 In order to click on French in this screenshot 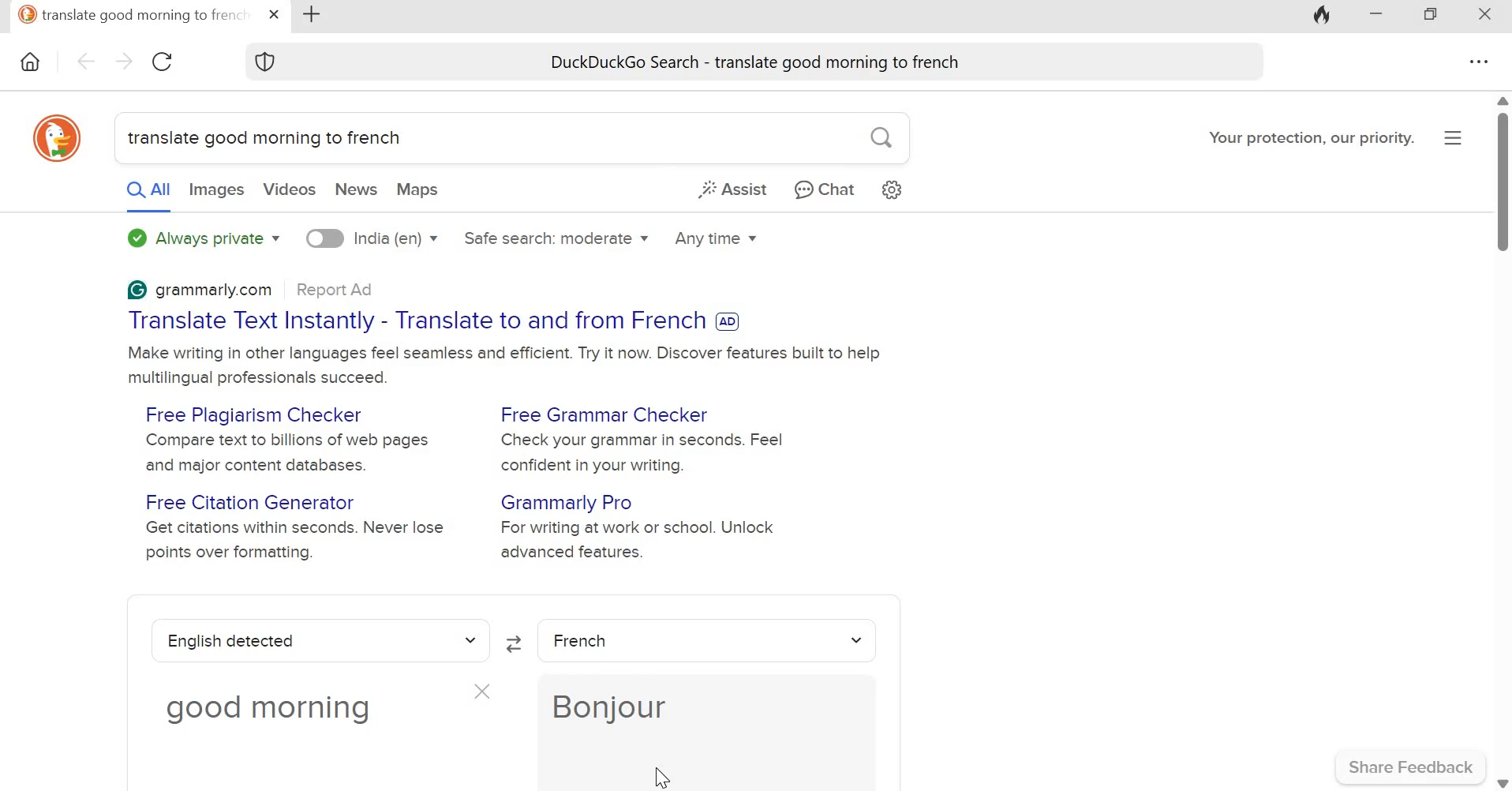, I will do `click(705, 641)`.